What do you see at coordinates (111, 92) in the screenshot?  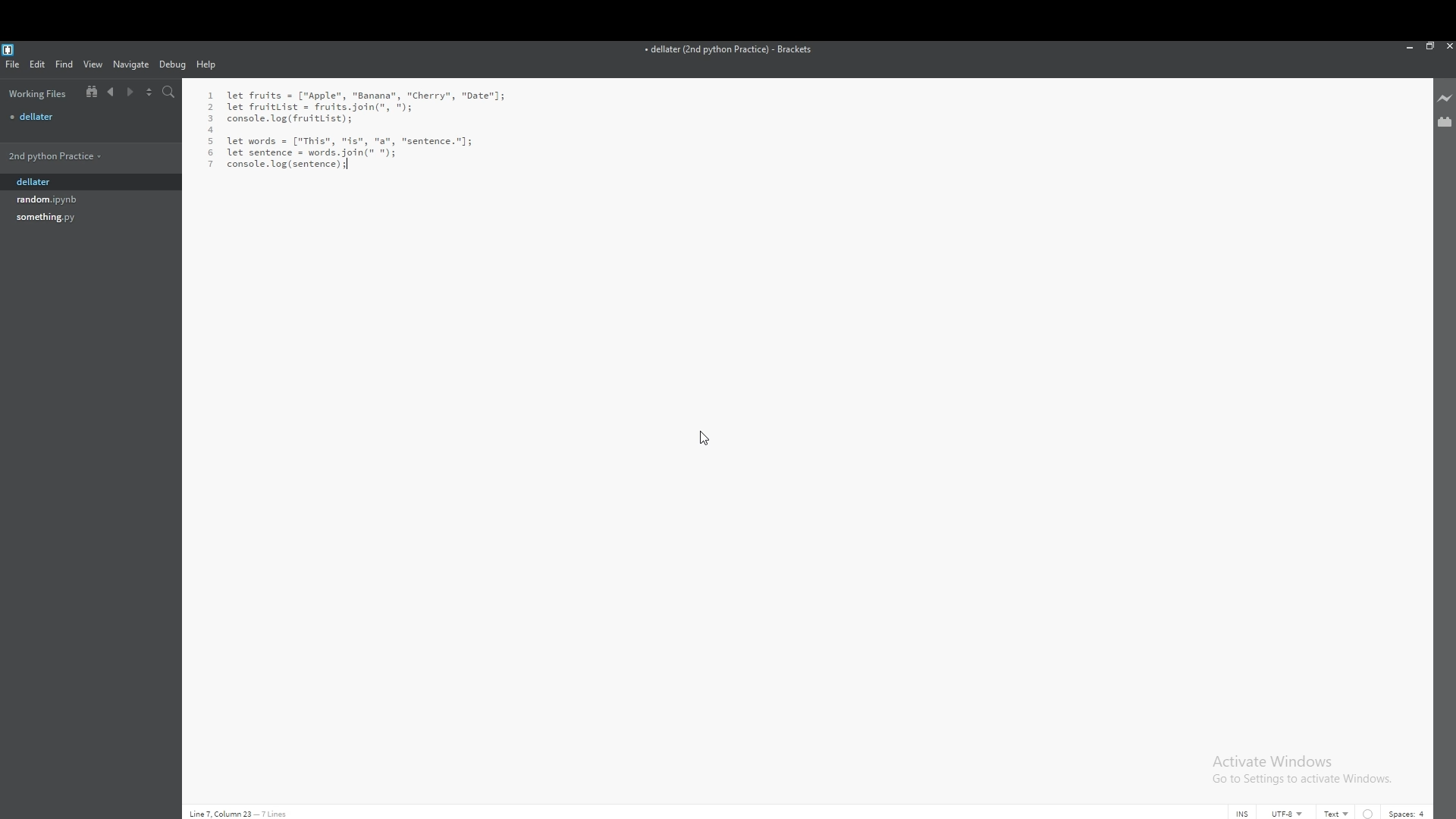 I see `previous` at bounding box center [111, 92].